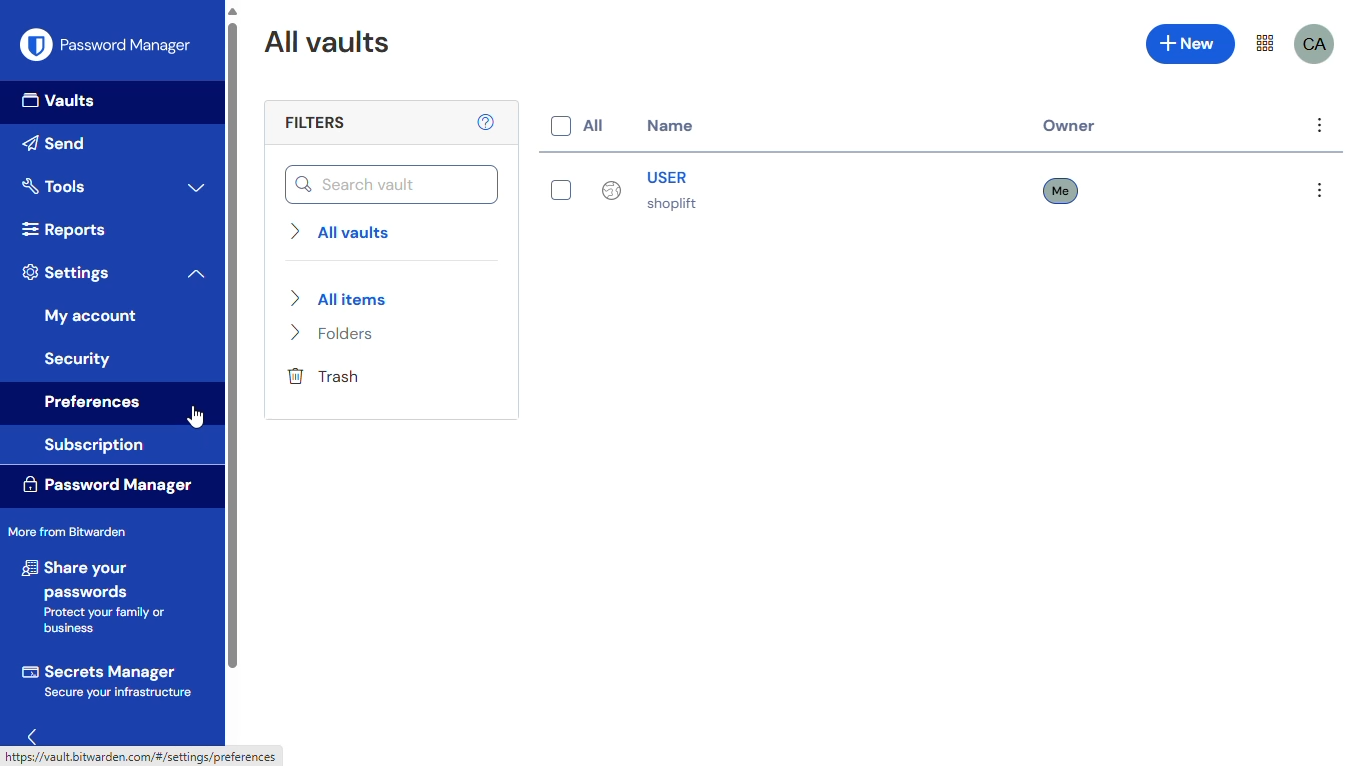 Image resolution: width=1366 pixels, height=766 pixels. Describe the element at coordinates (324, 376) in the screenshot. I see `trash` at that location.